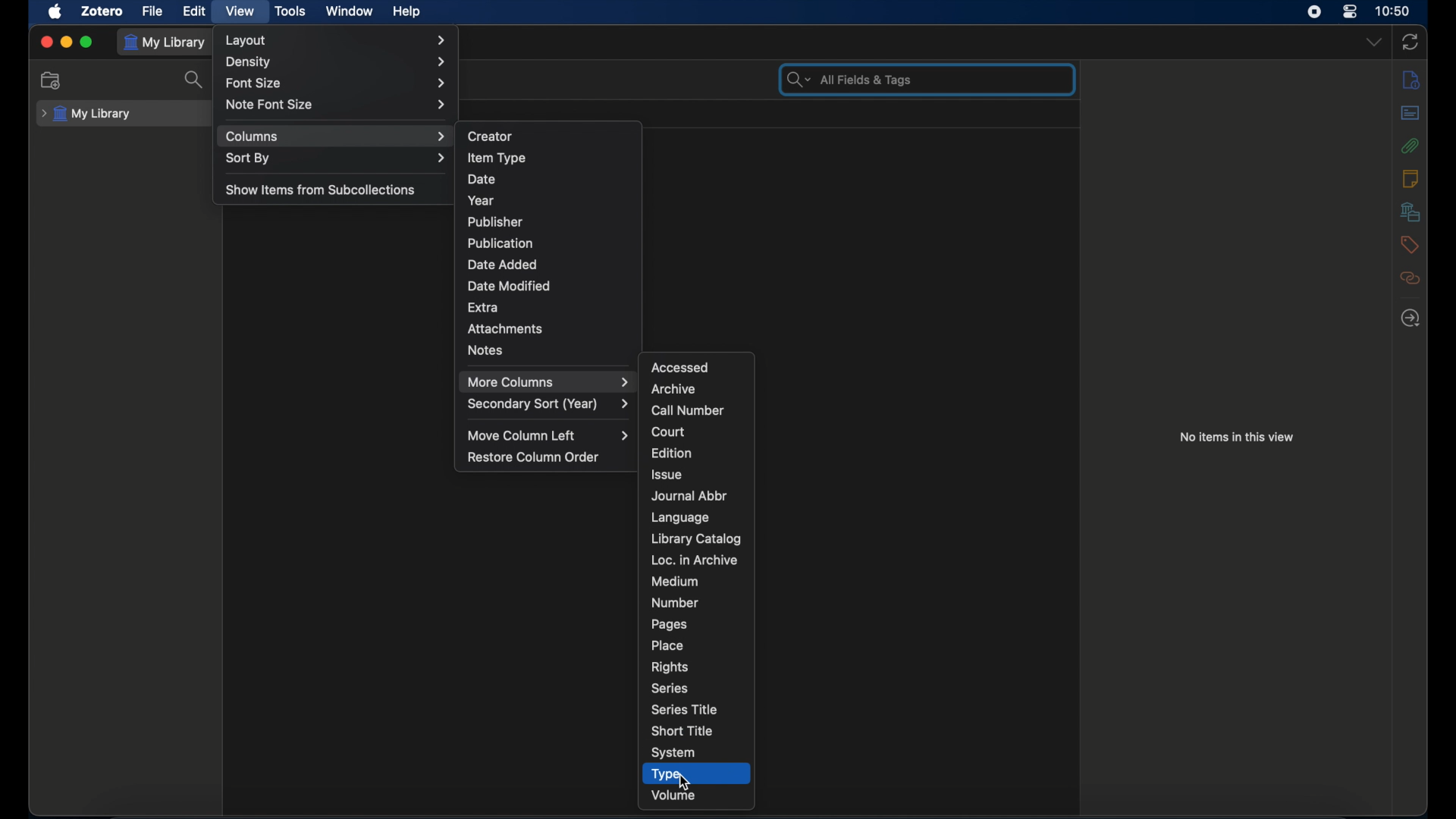 The image size is (1456, 819). Describe the element at coordinates (673, 795) in the screenshot. I see `volume` at that location.